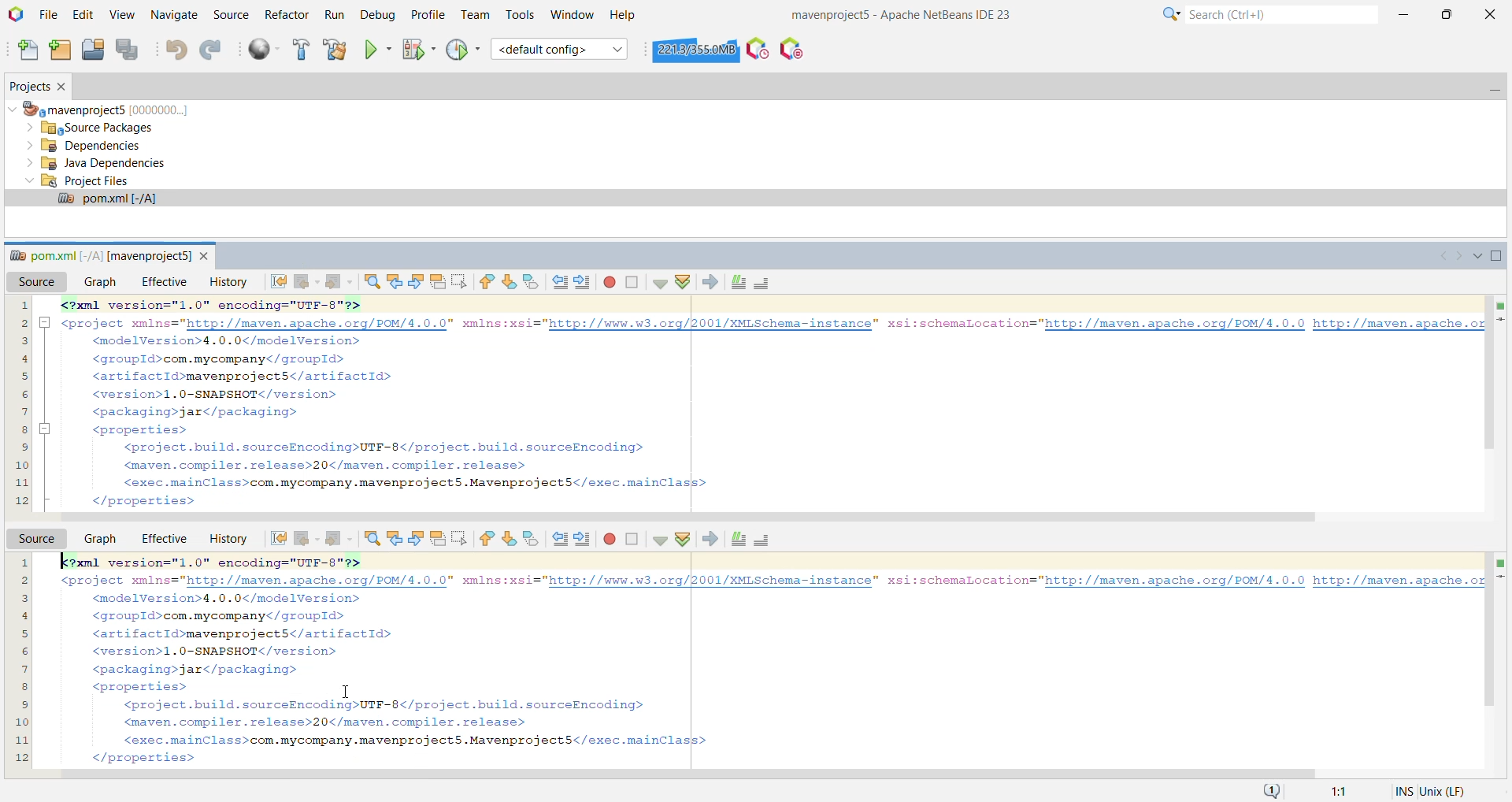  I want to click on Clean and Build Project, so click(335, 50).